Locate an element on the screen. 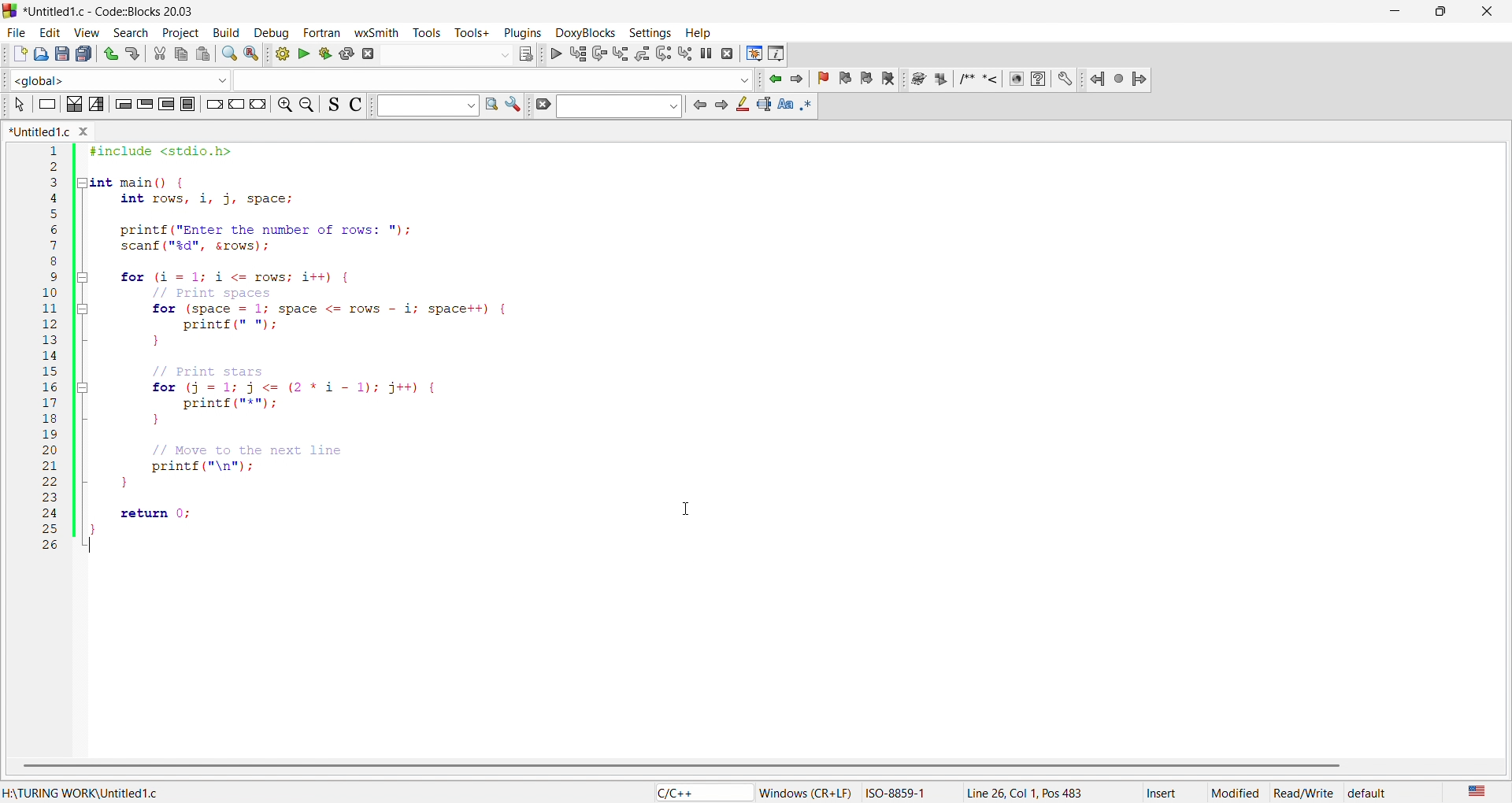 This screenshot has width=1512, height=803. icon is located at coordinates (764, 105).